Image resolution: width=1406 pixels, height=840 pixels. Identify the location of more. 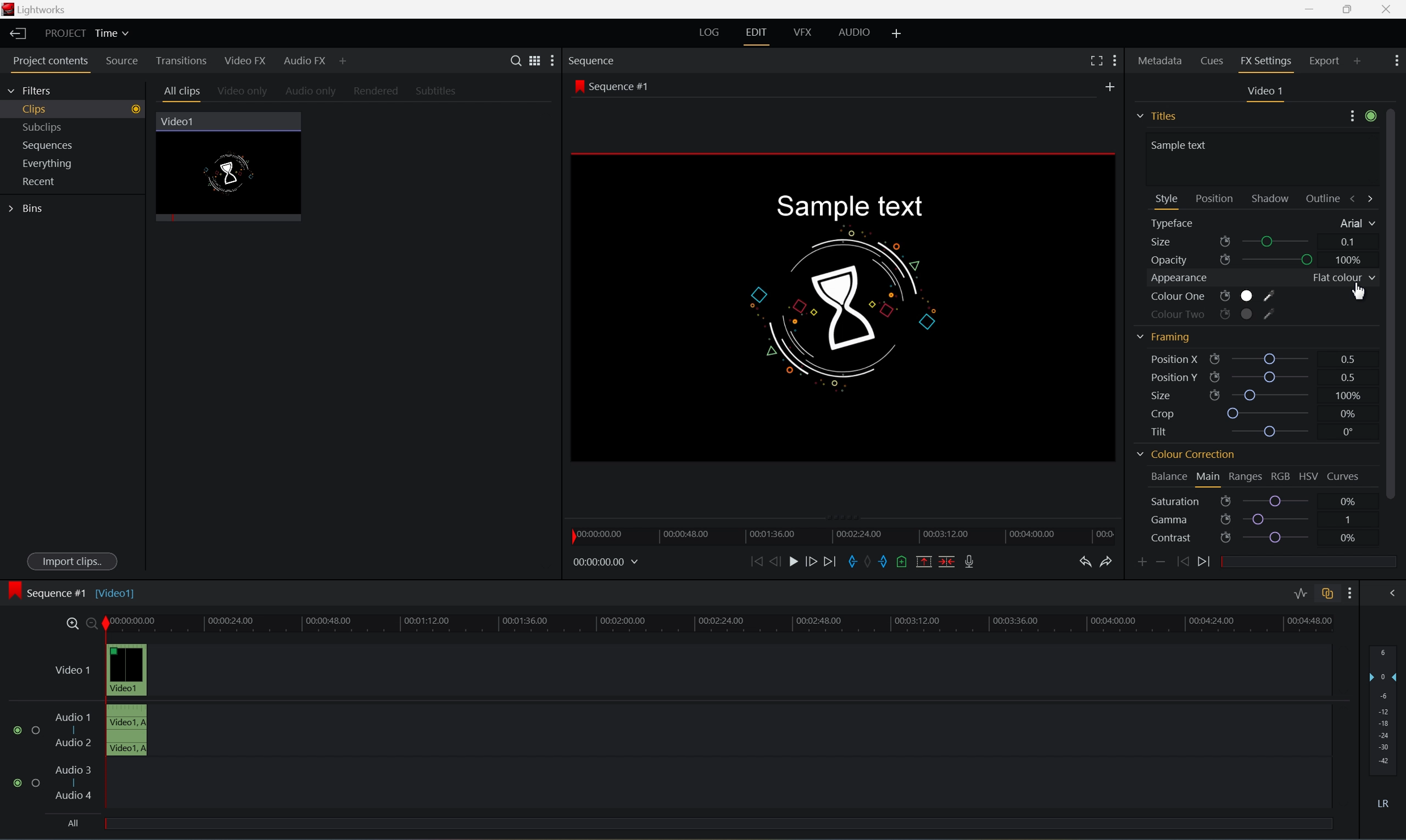
(549, 62).